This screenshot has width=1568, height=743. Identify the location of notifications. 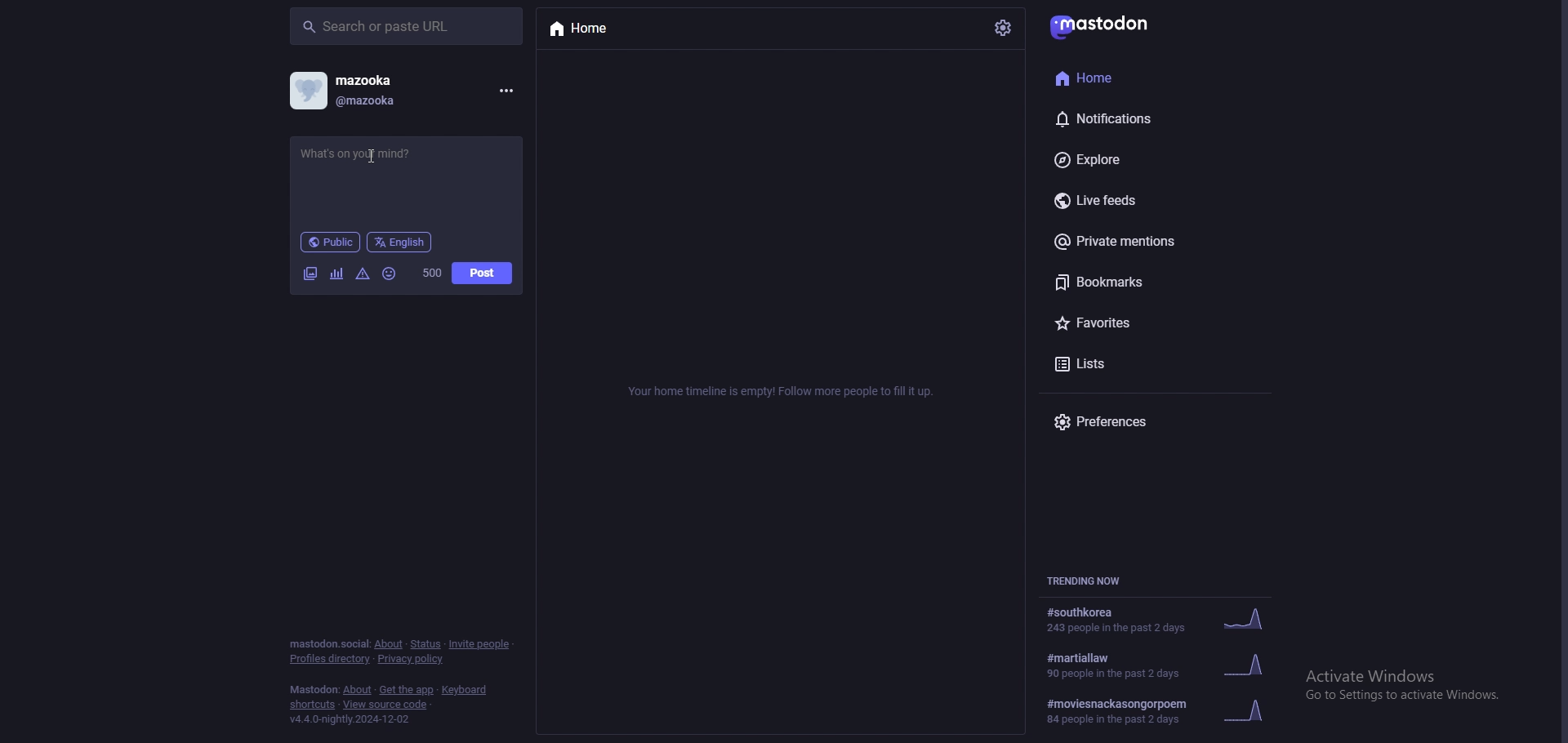
(1127, 118).